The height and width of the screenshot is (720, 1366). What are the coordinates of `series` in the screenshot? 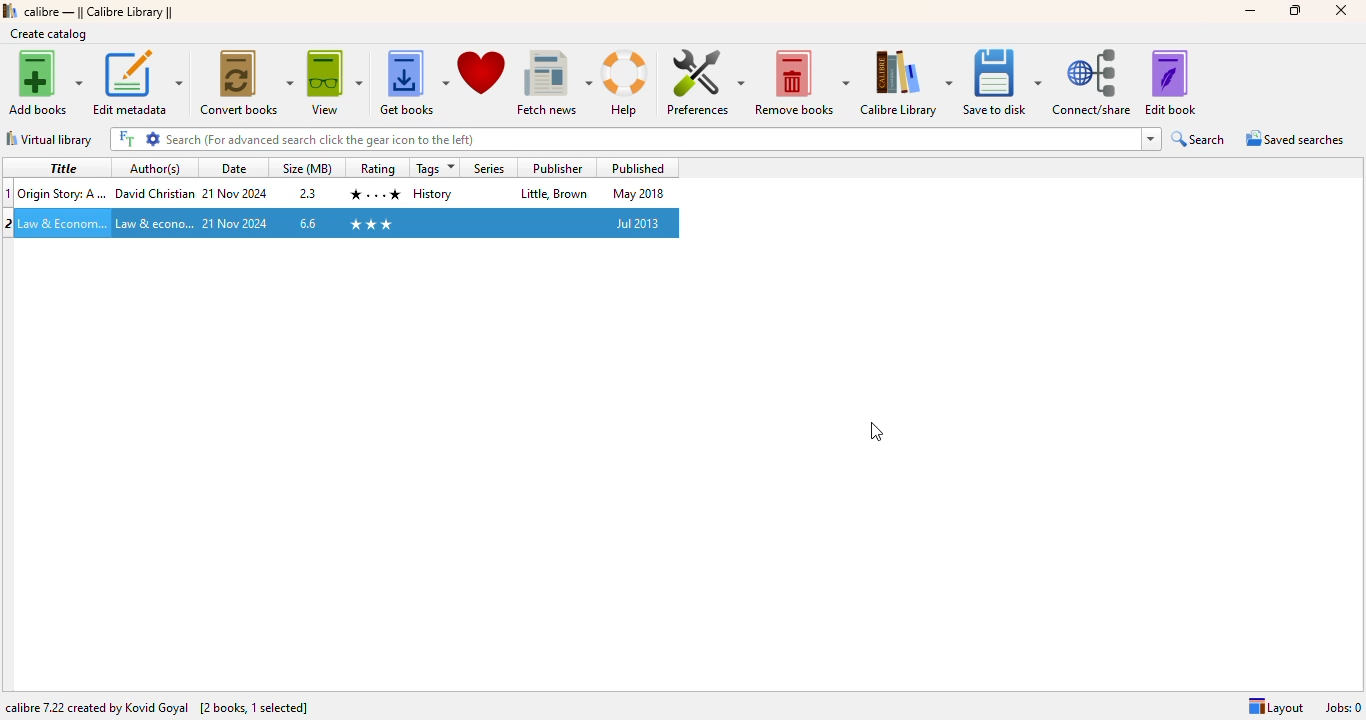 It's located at (489, 167).